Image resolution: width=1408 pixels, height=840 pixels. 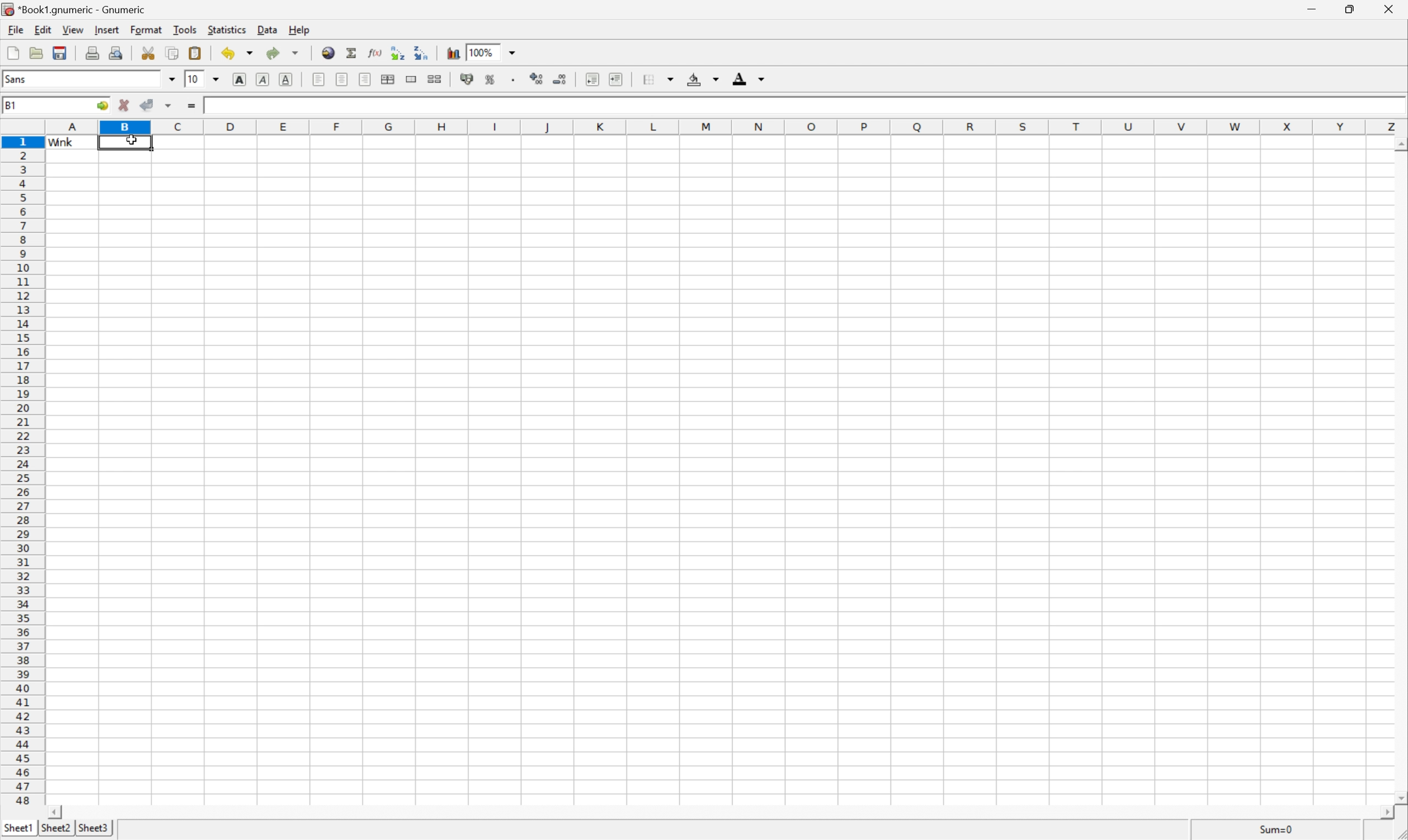 I want to click on redo, so click(x=284, y=55).